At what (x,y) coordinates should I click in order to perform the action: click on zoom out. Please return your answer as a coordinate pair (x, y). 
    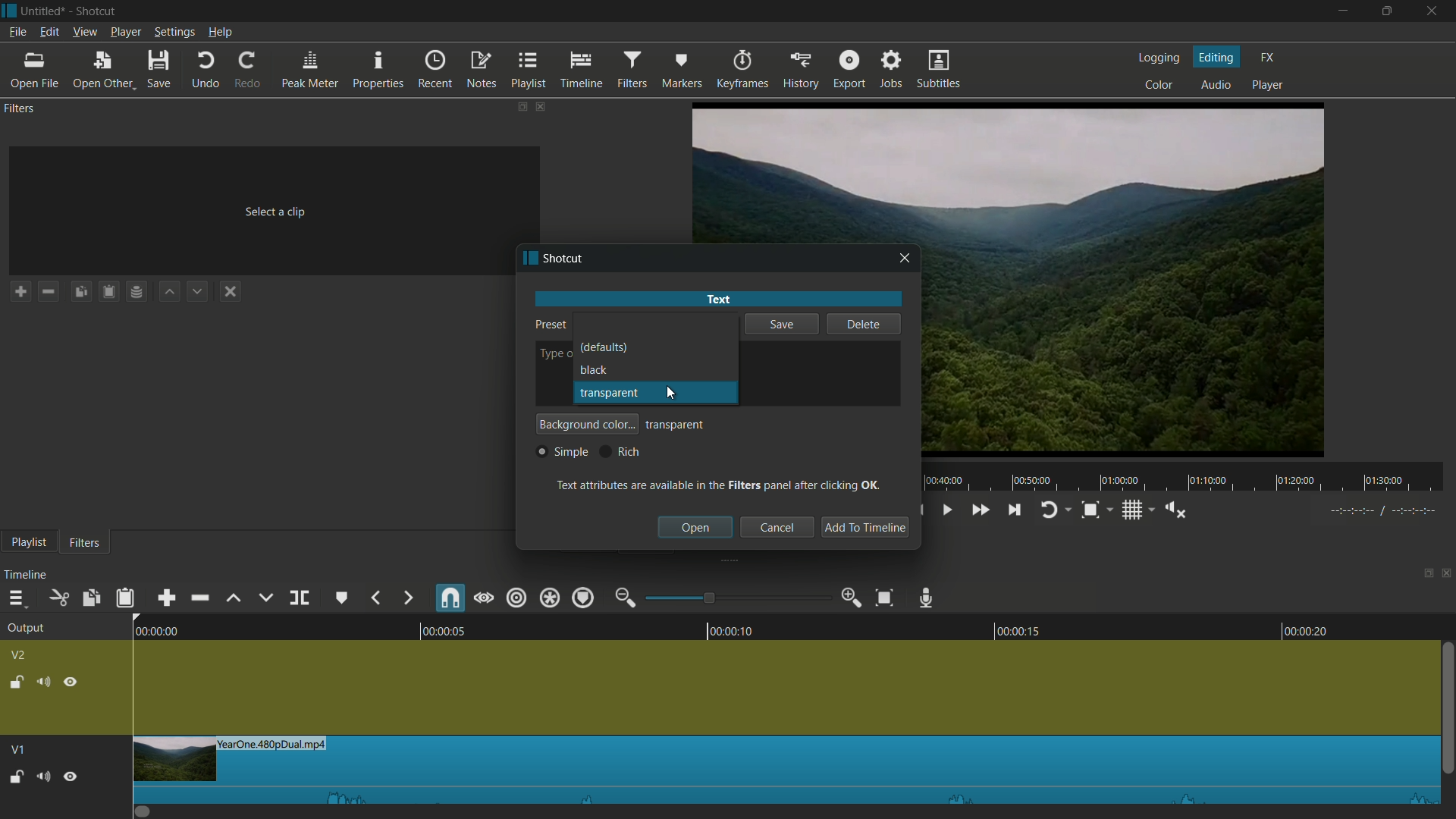
    Looking at the image, I should click on (624, 598).